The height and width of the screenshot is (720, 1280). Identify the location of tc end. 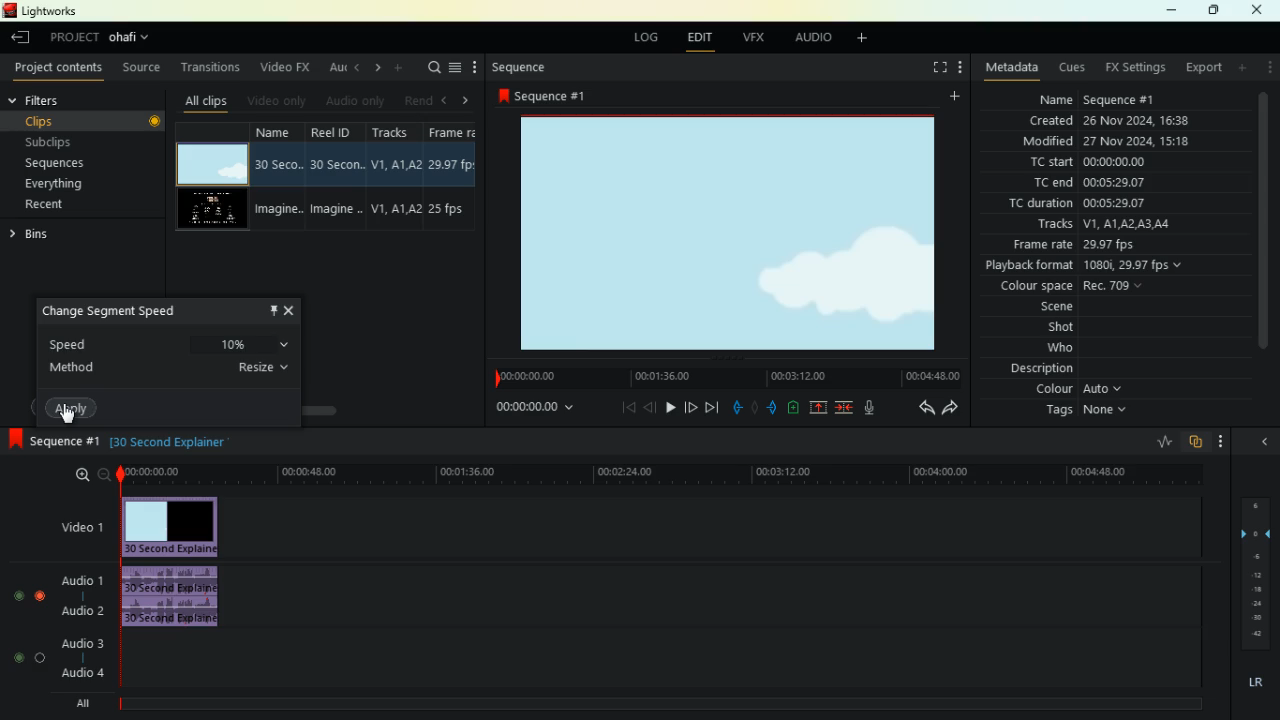
(1093, 184).